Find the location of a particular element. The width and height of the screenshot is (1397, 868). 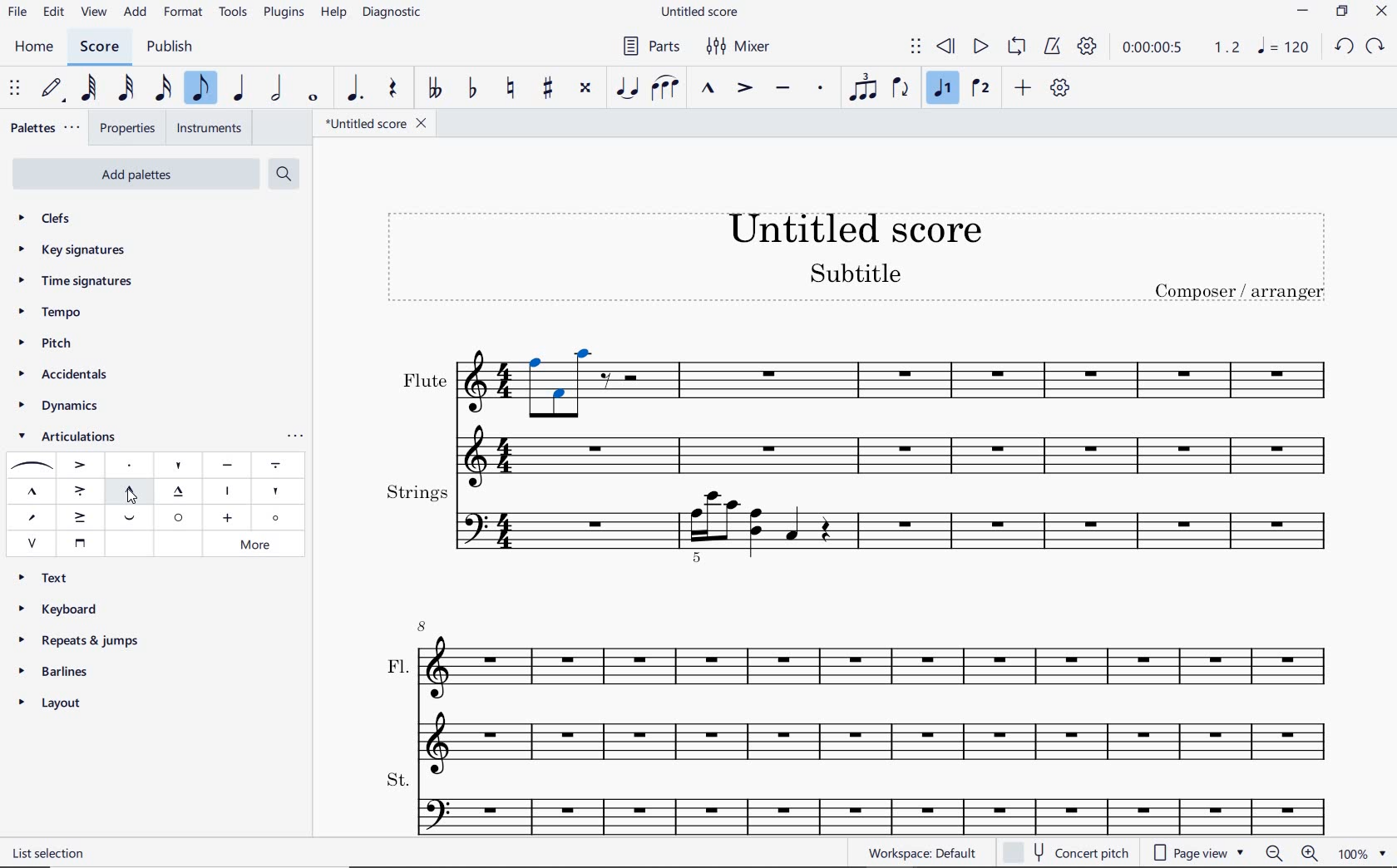

DEFAULT (STEP TIME) is located at coordinates (50, 89).